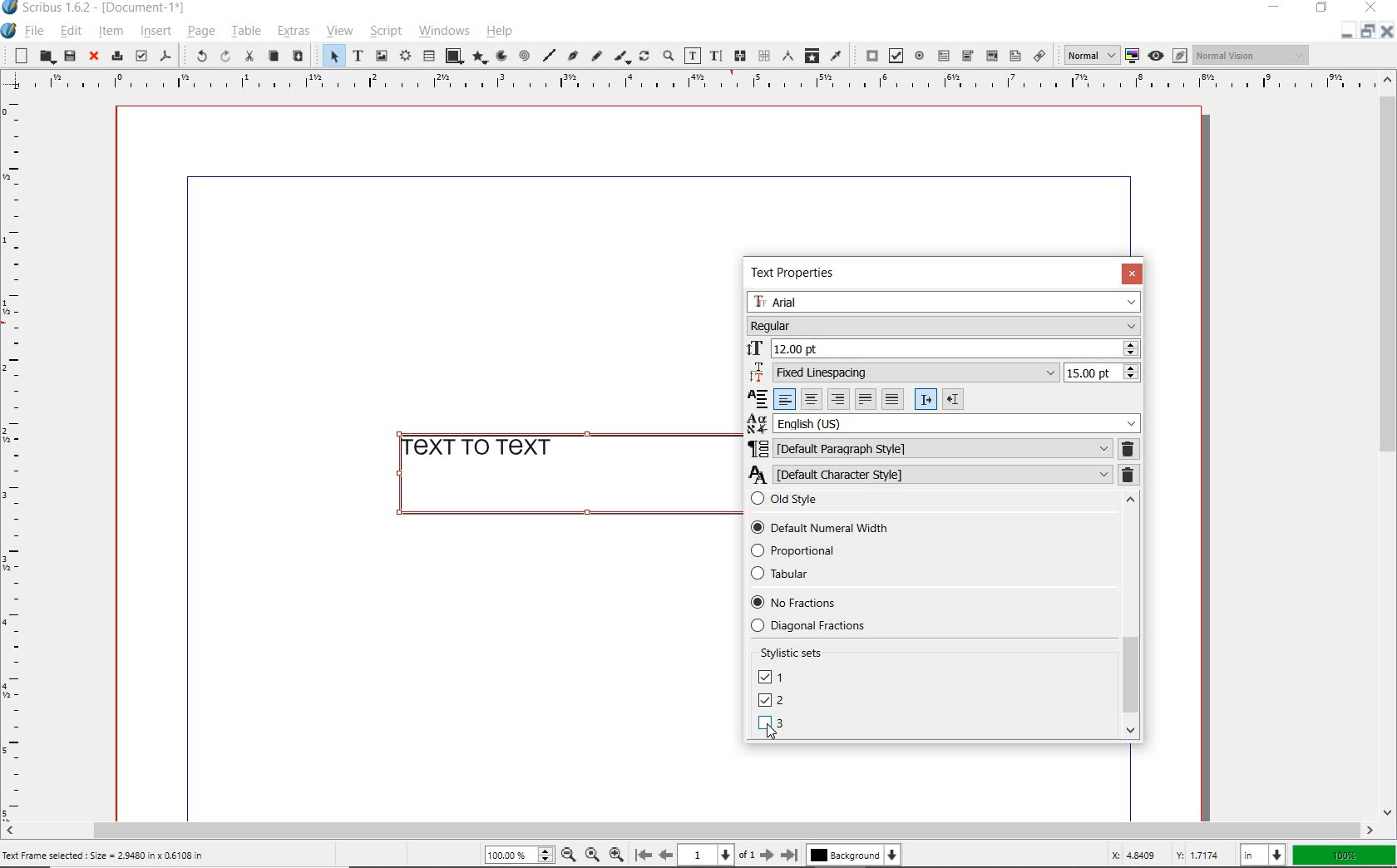  What do you see at coordinates (141, 57) in the screenshot?
I see `preflight verifier` at bounding box center [141, 57].